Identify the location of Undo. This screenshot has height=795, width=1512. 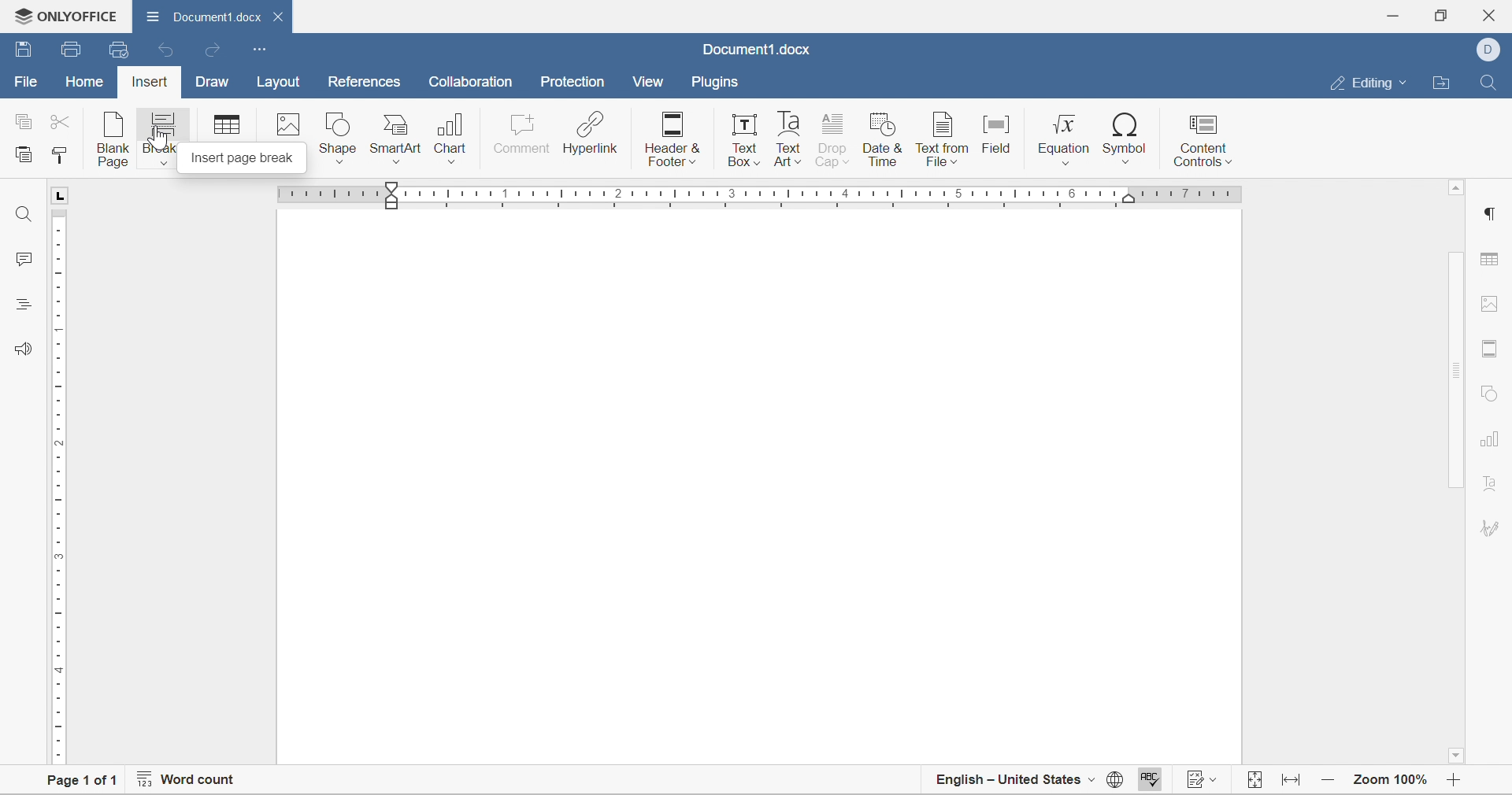
(168, 50).